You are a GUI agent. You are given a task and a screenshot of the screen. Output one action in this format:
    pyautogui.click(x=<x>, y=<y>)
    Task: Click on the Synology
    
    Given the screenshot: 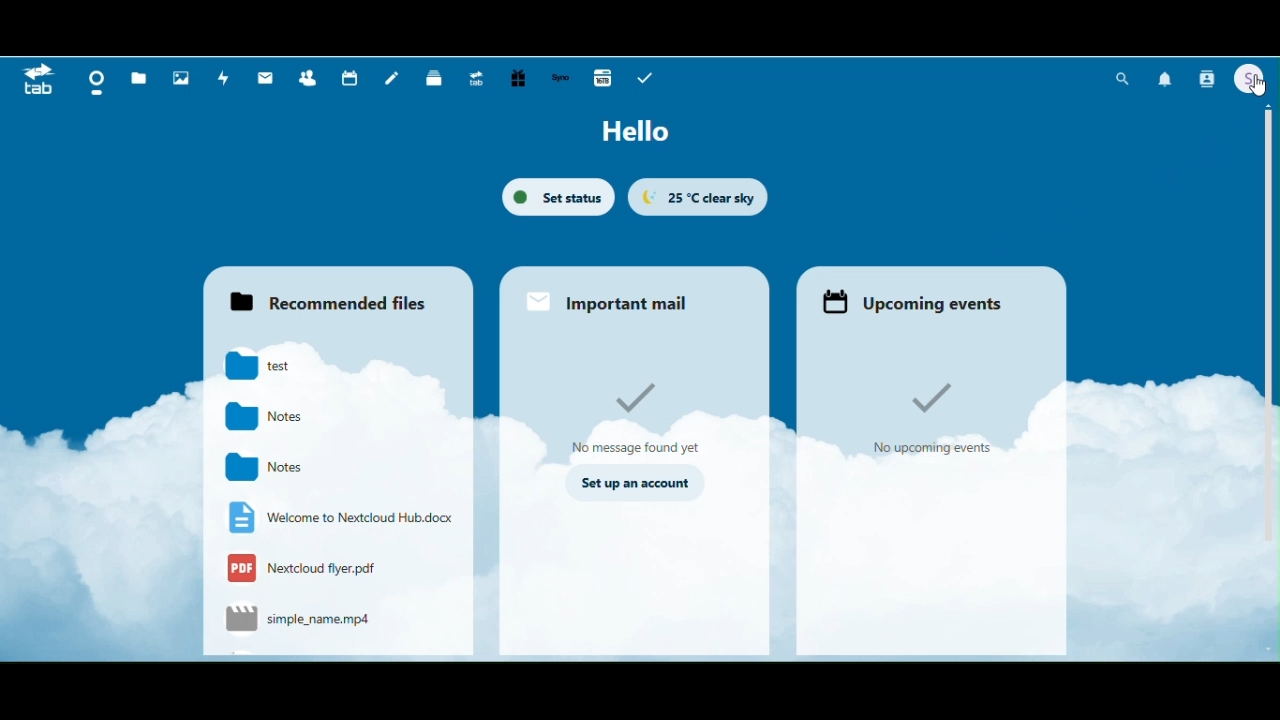 What is the action you would take?
    pyautogui.click(x=563, y=79)
    